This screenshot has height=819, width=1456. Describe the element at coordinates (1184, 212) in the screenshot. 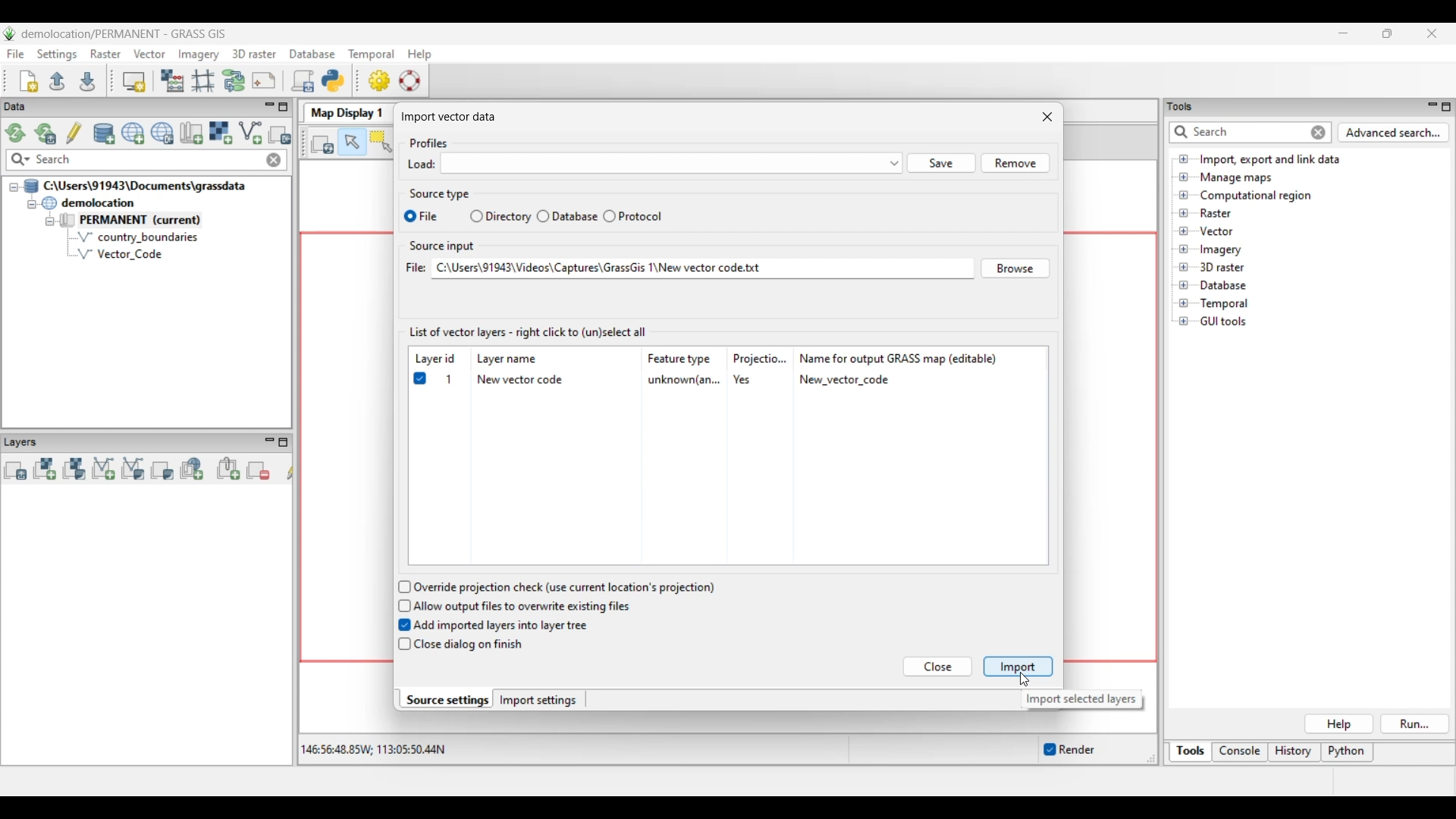

I see `Click to open files under Raster` at that location.